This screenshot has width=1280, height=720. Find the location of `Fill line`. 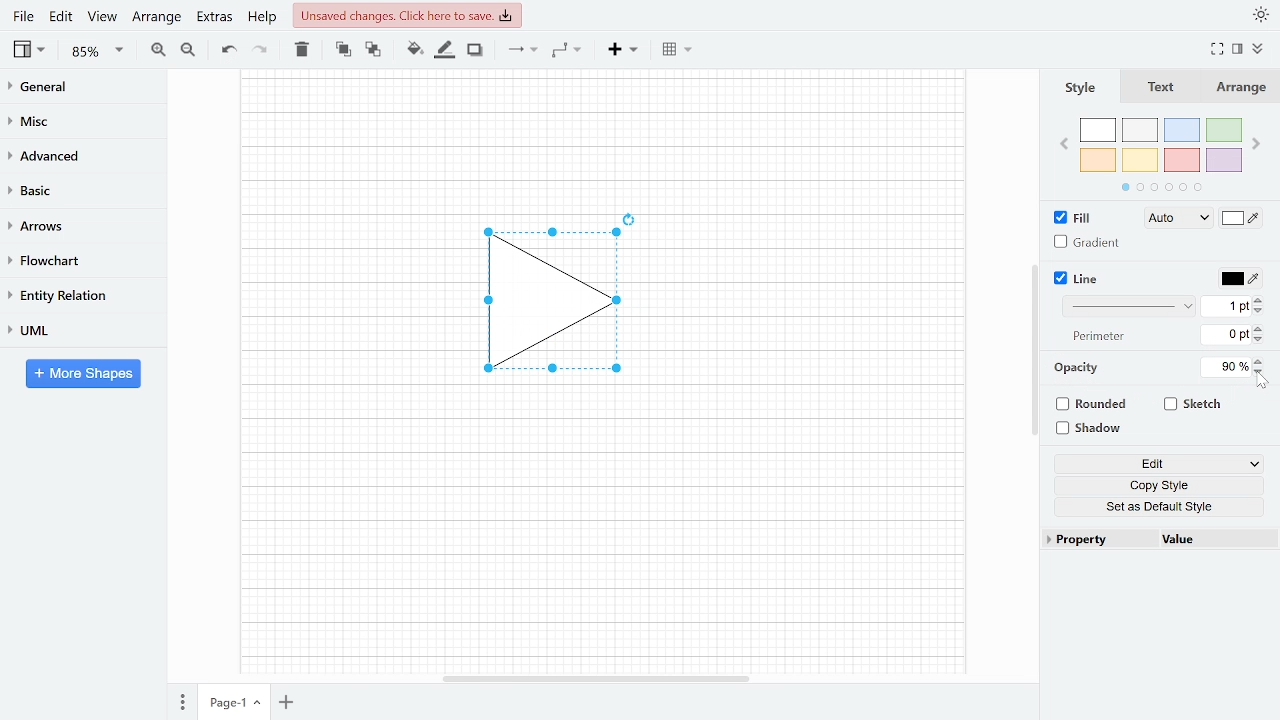

Fill line is located at coordinates (444, 50).